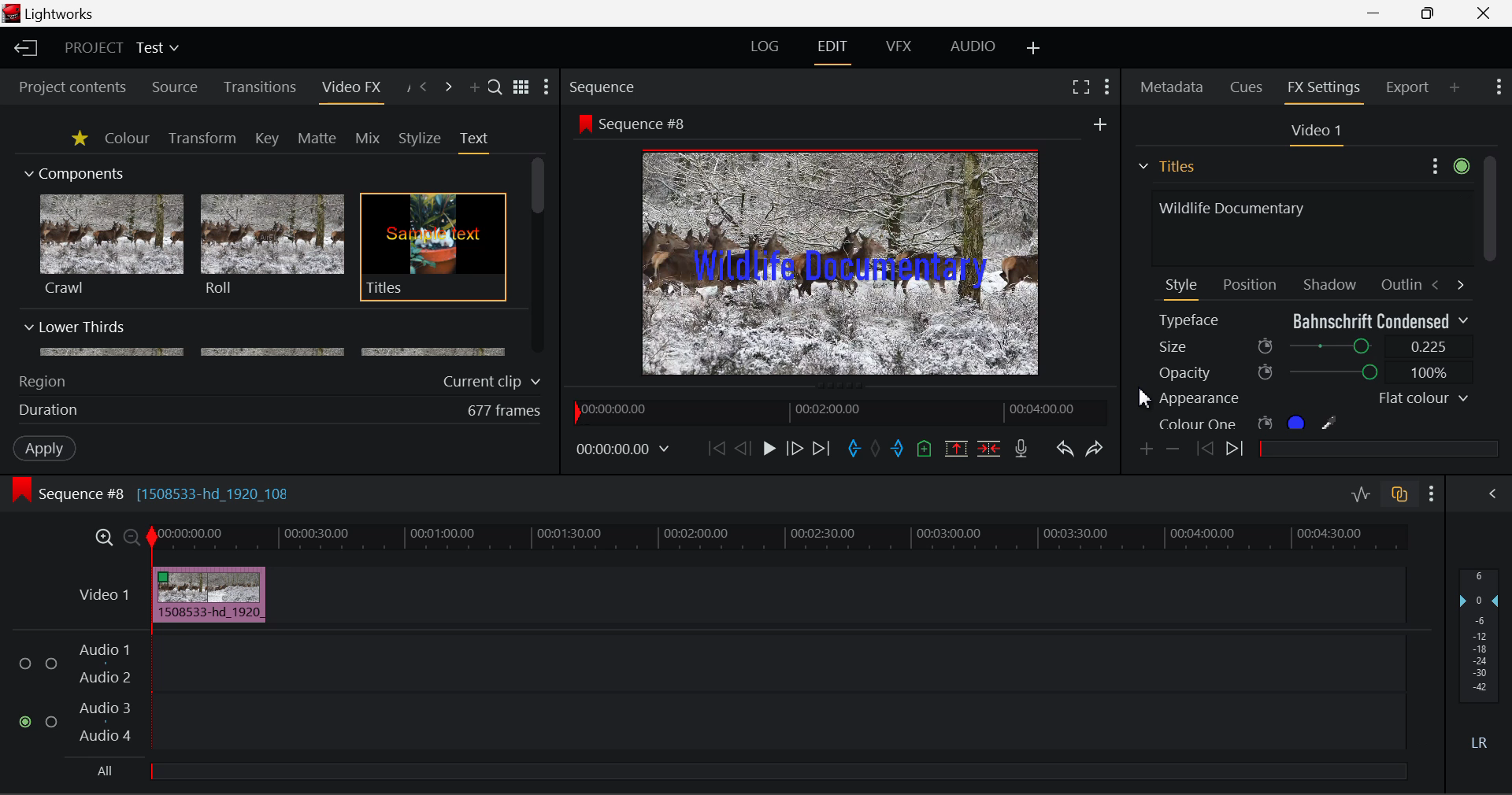 The width and height of the screenshot is (1512, 795). What do you see at coordinates (1252, 283) in the screenshot?
I see `Position` at bounding box center [1252, 283].